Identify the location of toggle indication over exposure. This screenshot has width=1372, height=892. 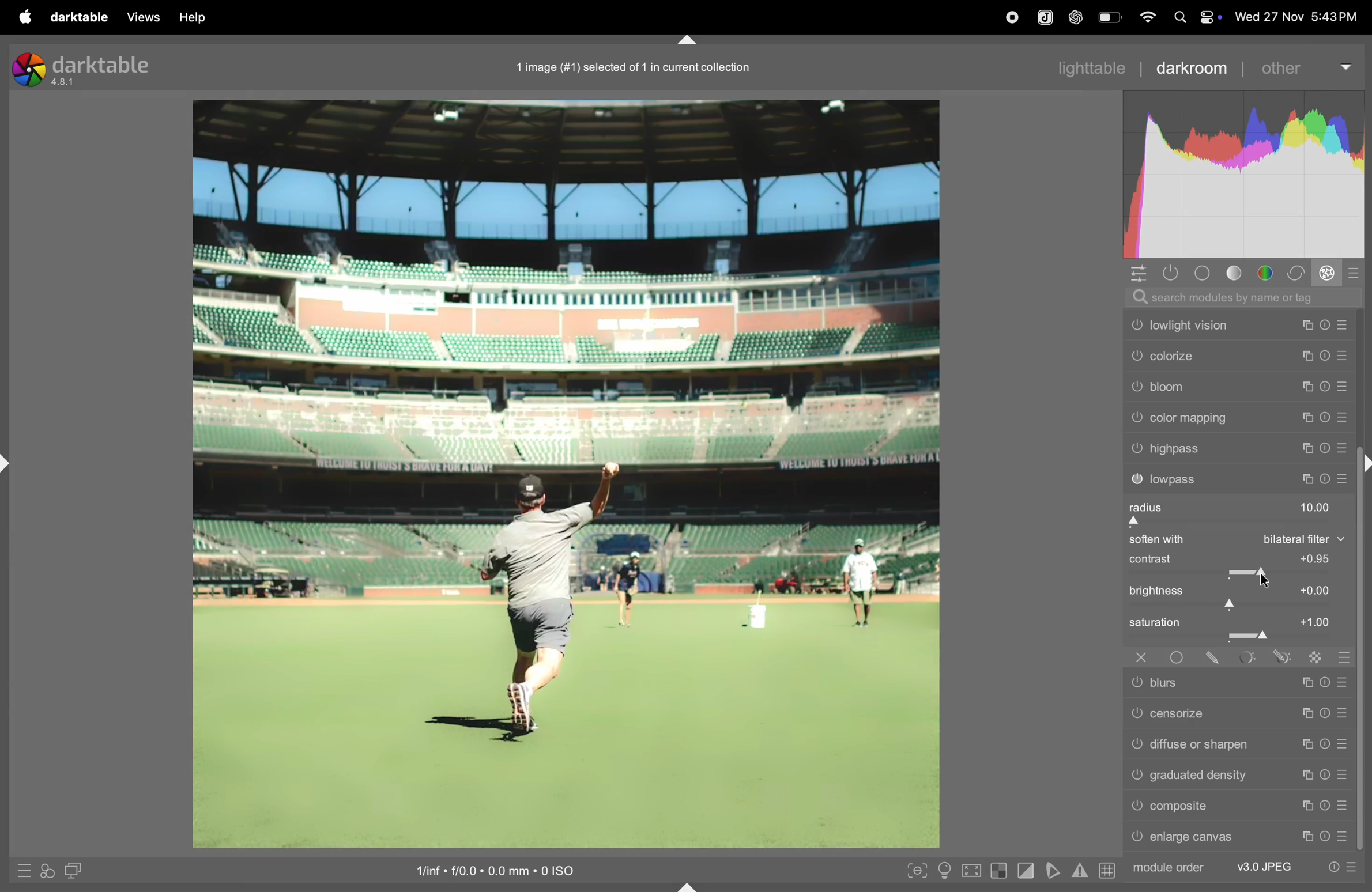
(1001, 872).